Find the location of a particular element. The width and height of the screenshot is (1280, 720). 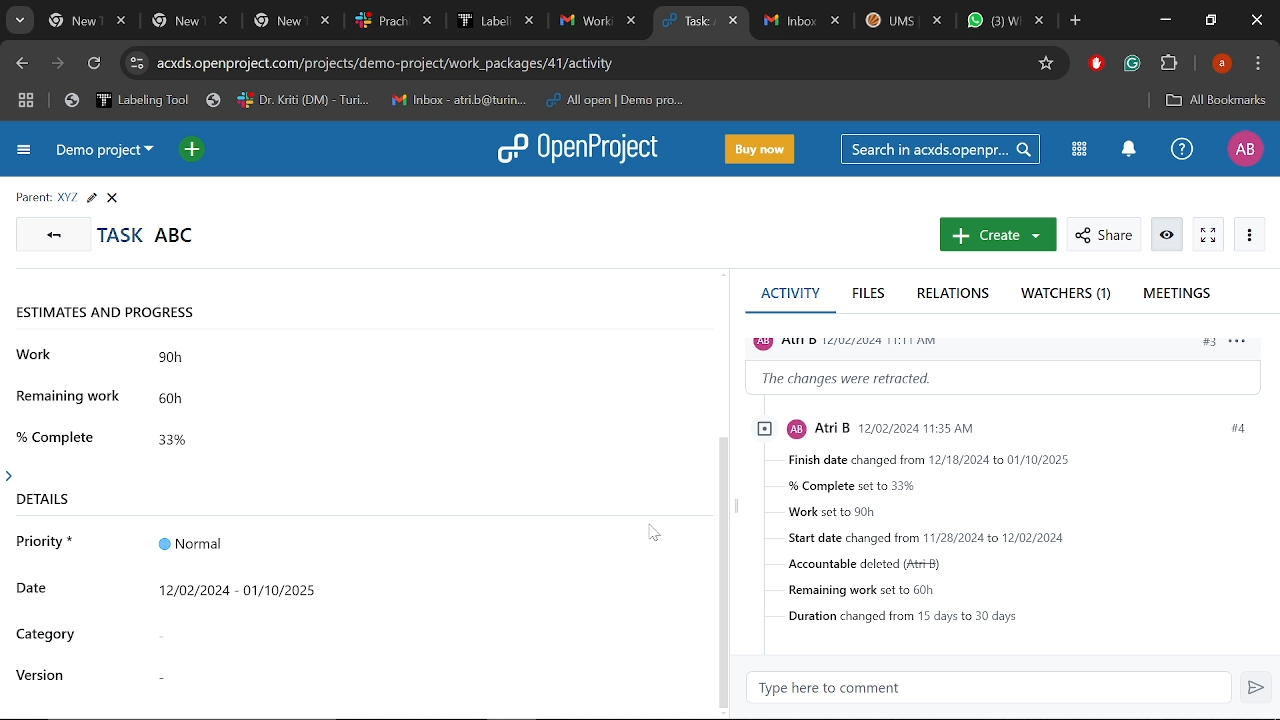

Close is located at coordinates (112, 198).